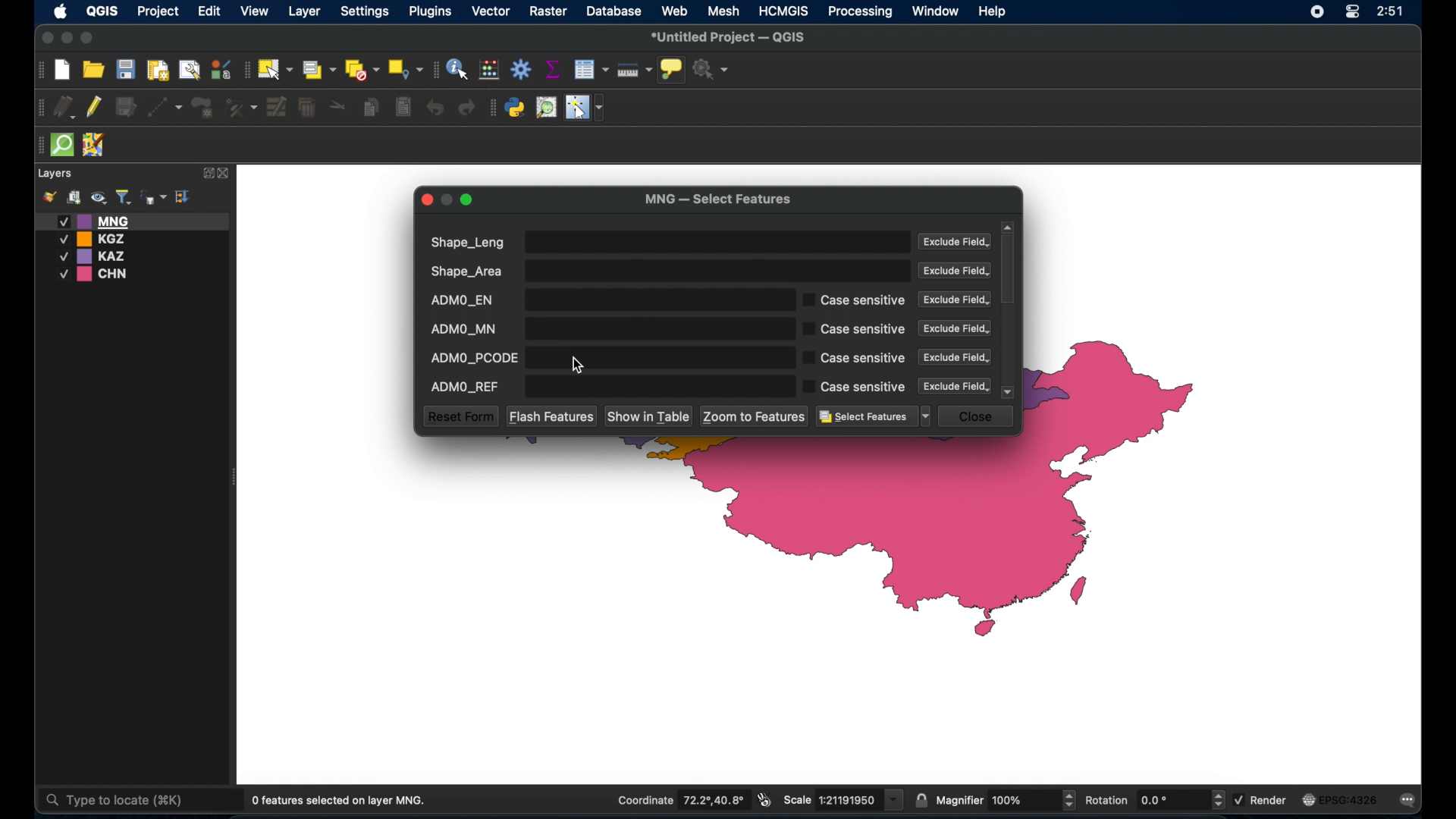  I want to click on ADMO_PCODE, so click(606, 357).